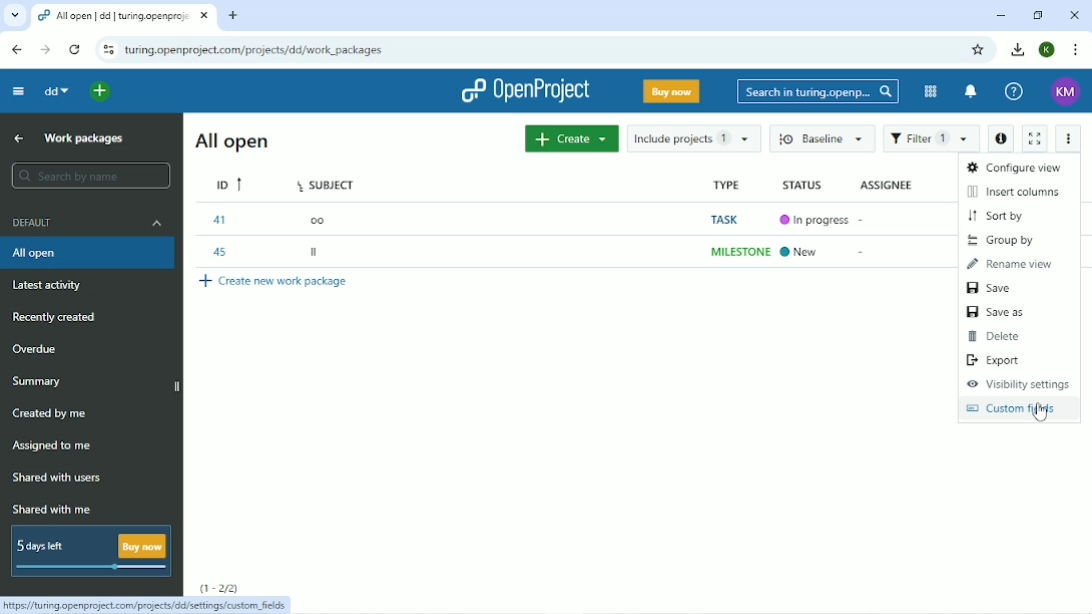  Describe the element at coordinates (122, 16) in the screenshot. I see `Current tab` at that location.